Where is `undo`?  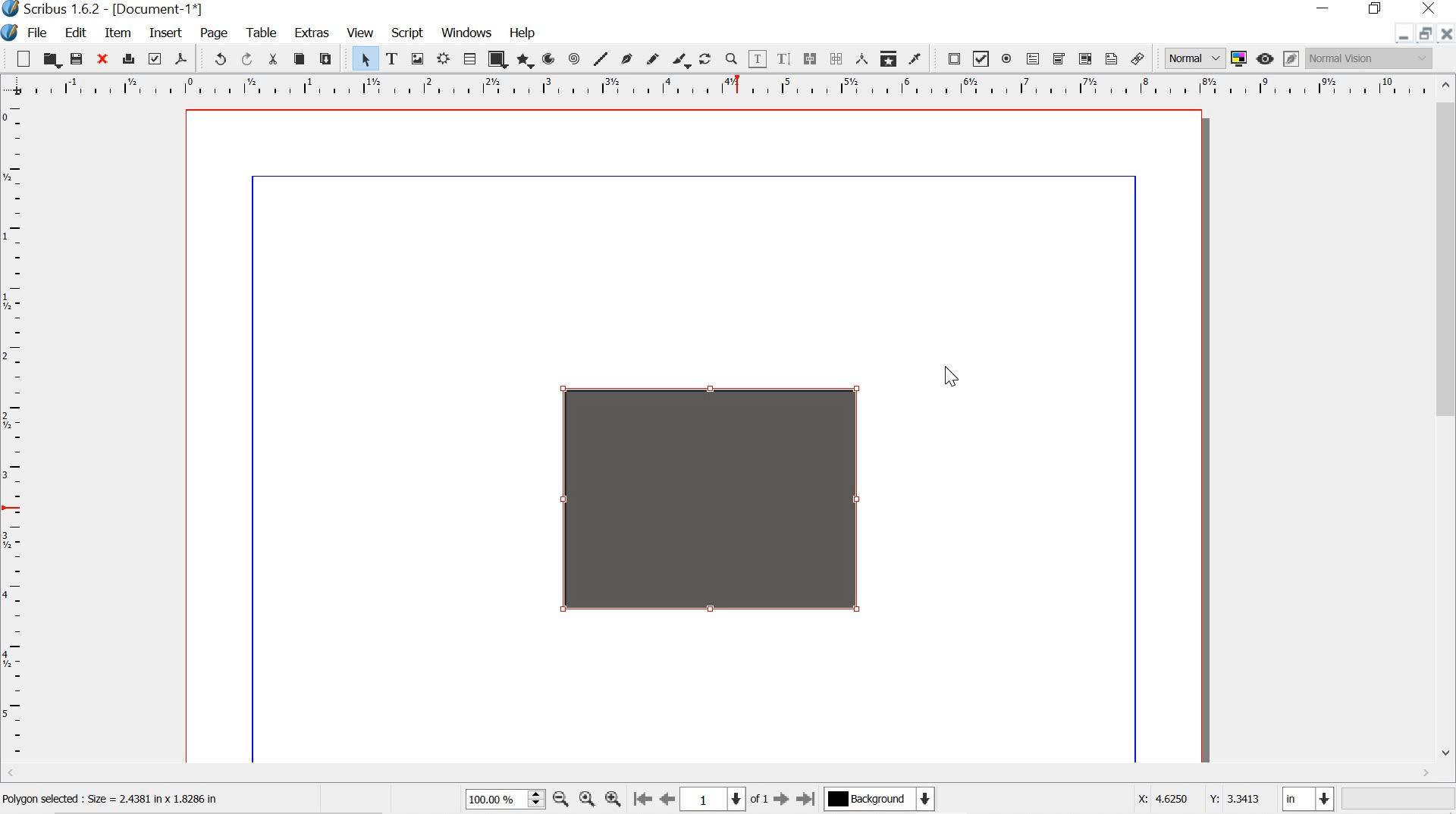 undo is located at coordinates (219, 58).